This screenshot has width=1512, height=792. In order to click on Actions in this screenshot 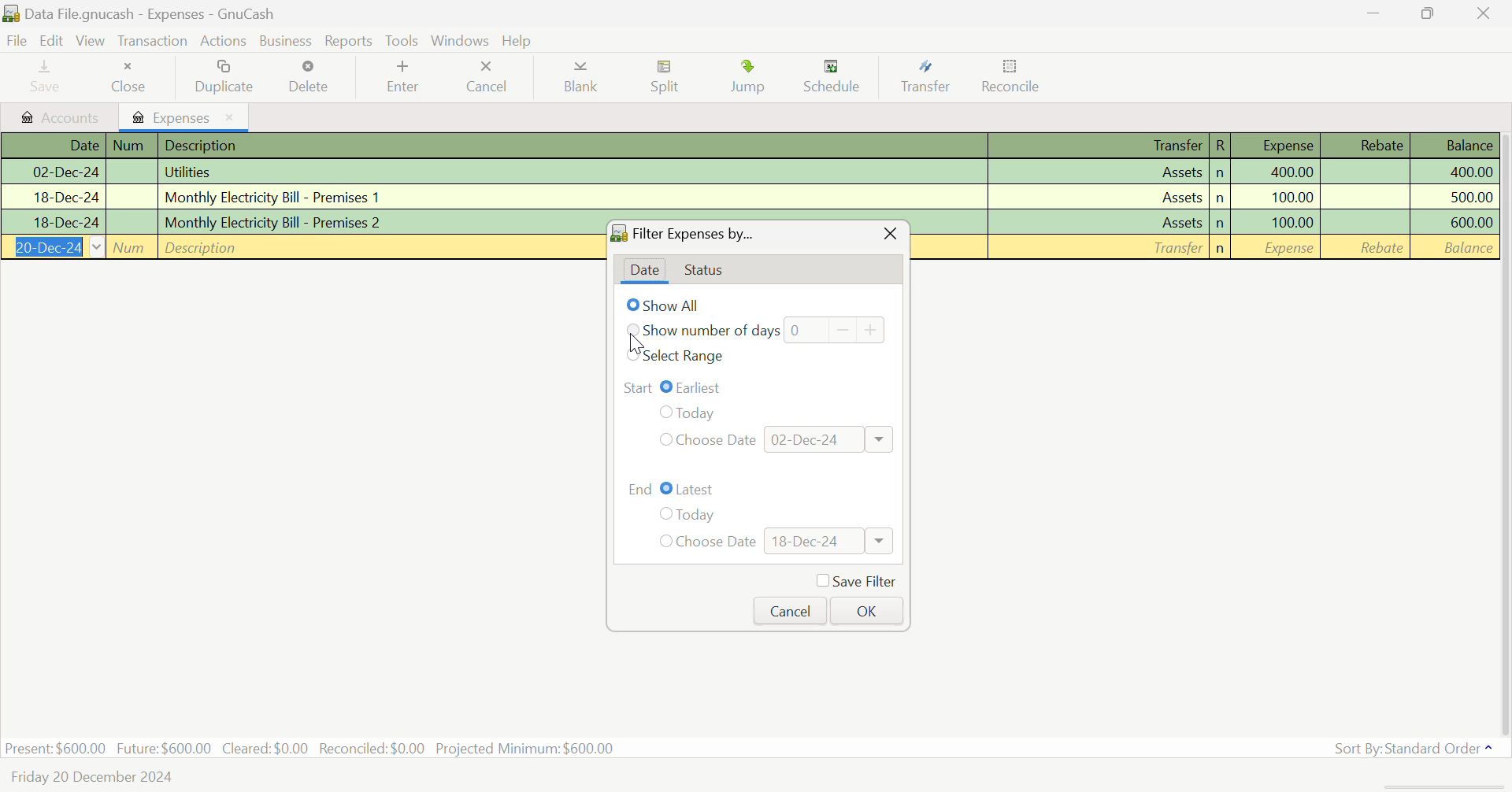, I will do `click(225, 40)`.